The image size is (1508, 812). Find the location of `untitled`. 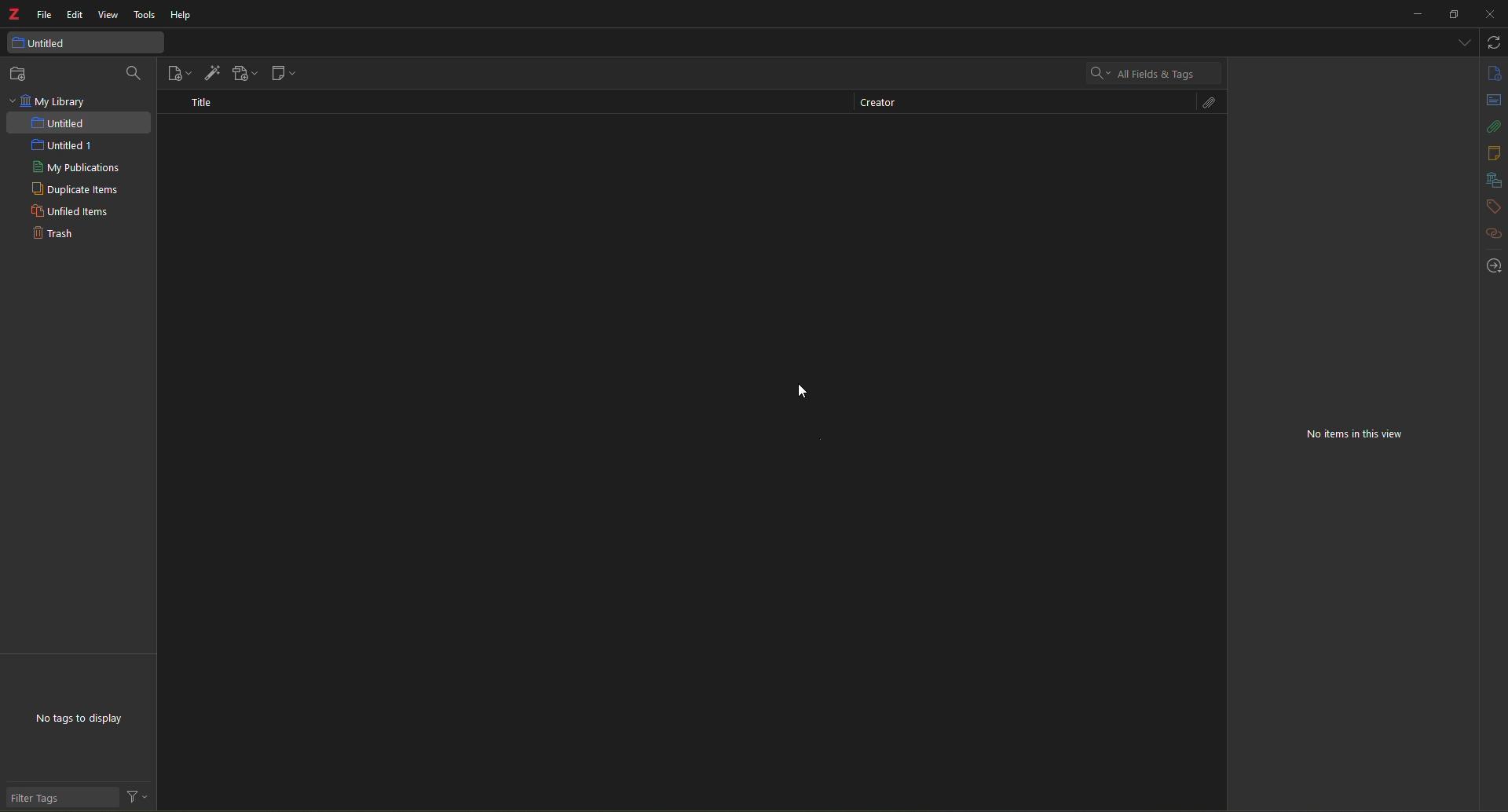

untitled is located at coordinates (42, 43).